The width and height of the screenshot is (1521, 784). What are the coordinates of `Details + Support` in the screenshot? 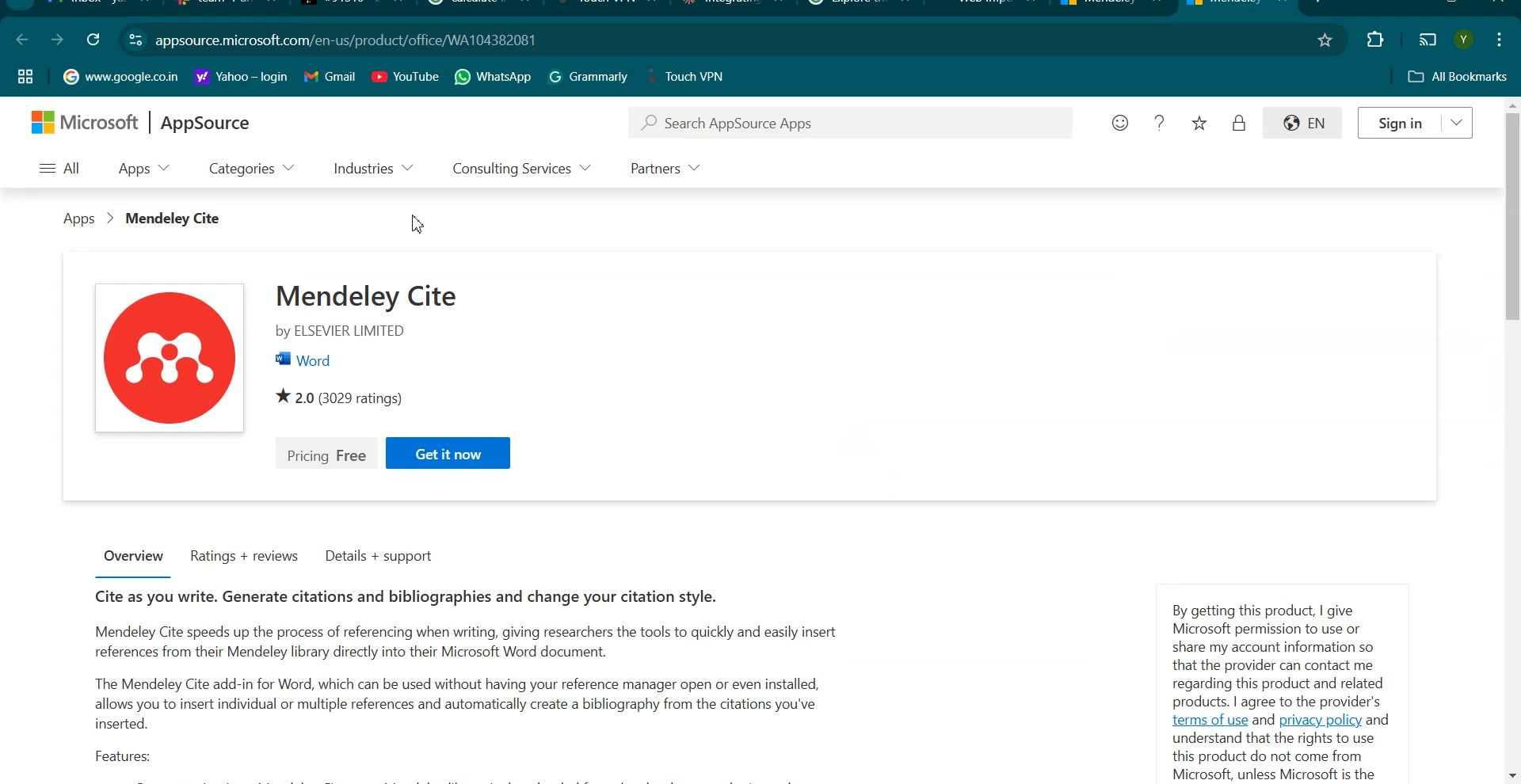 It's located at (381, 558).